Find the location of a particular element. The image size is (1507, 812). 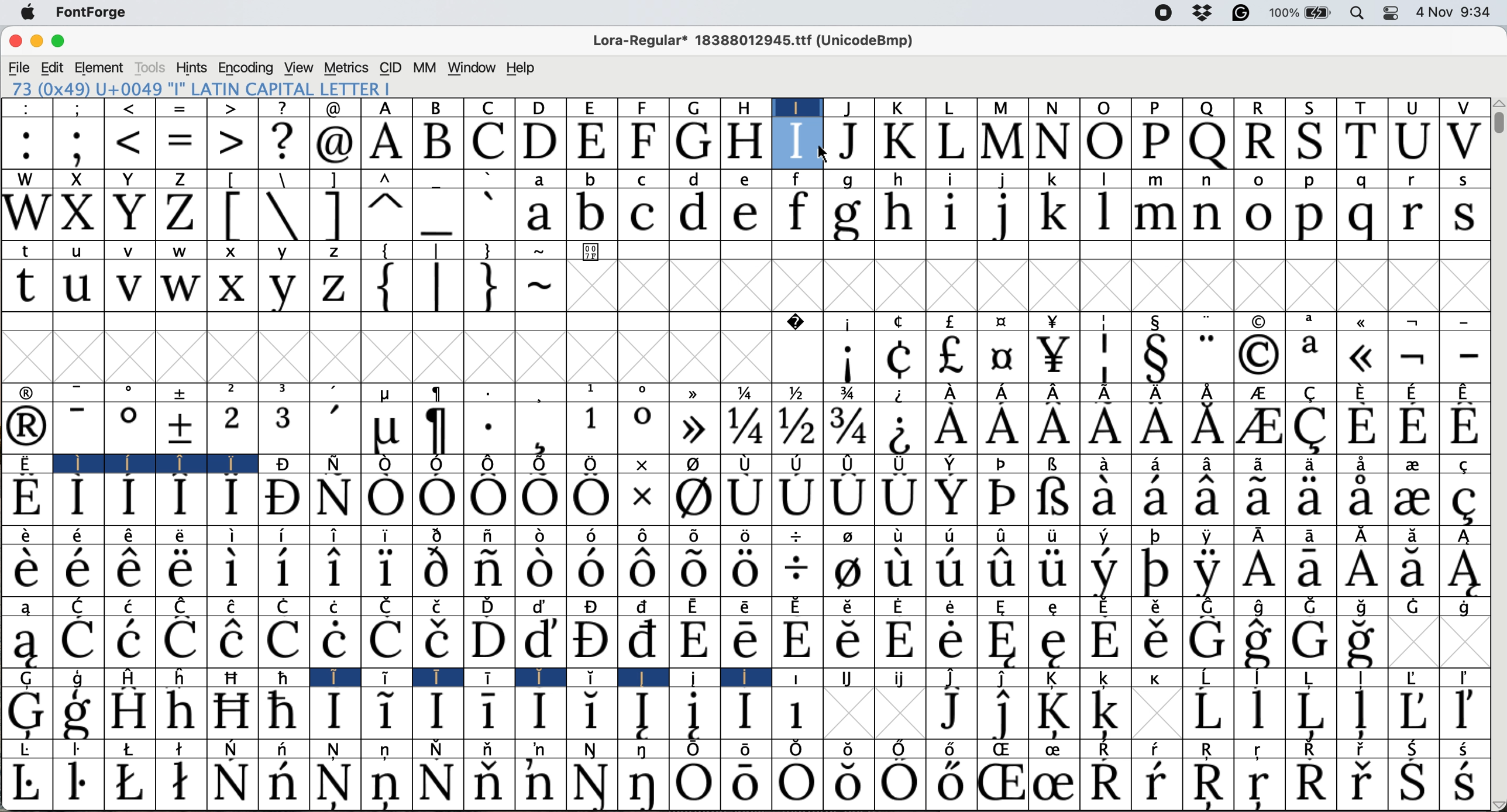

symbol is located at coordinates (543, 465).